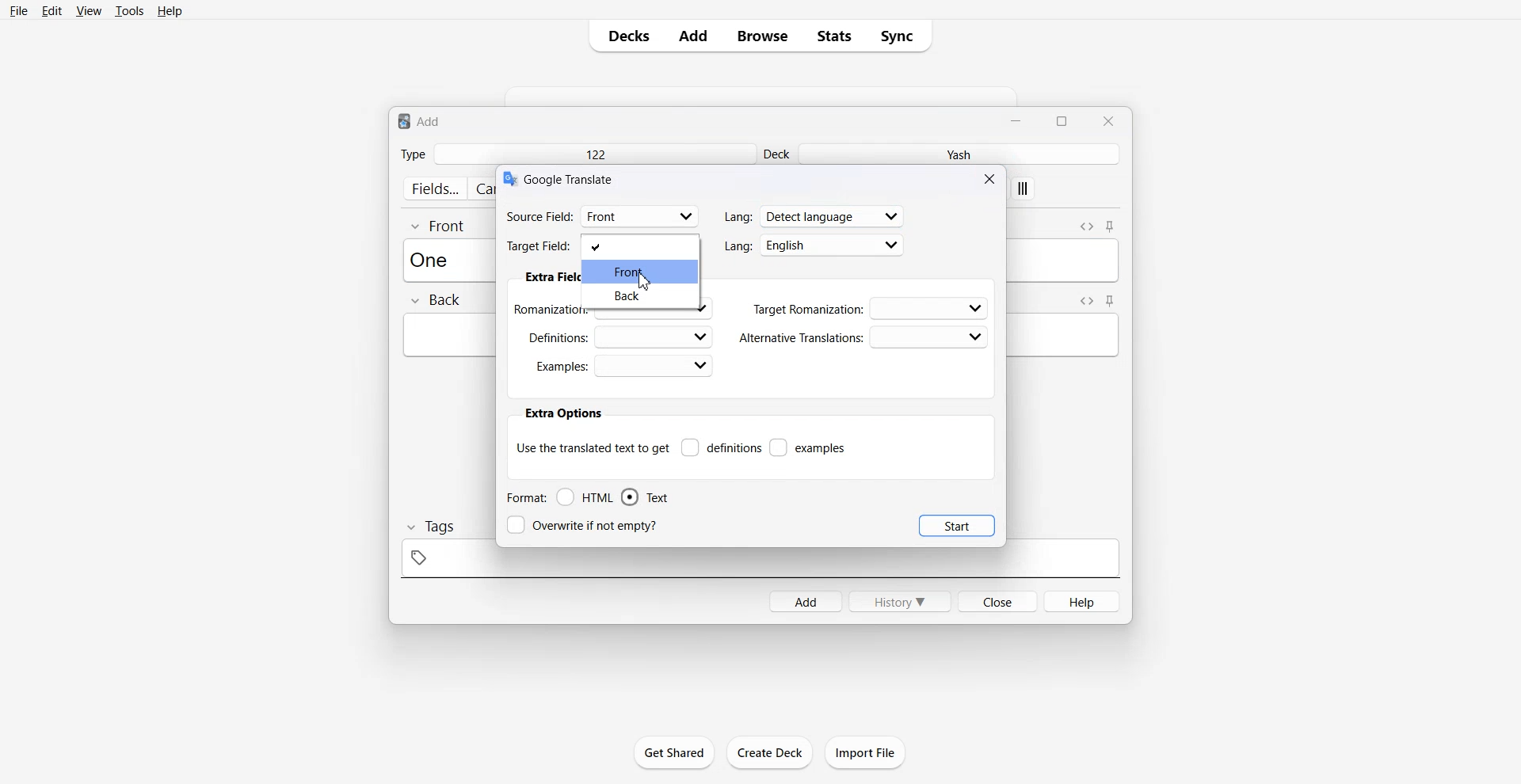 The height and width of the screenshot is (784, 1521). Describe the element at coordinates (618, 336) in the screenshot. I see `Definations` at that location.